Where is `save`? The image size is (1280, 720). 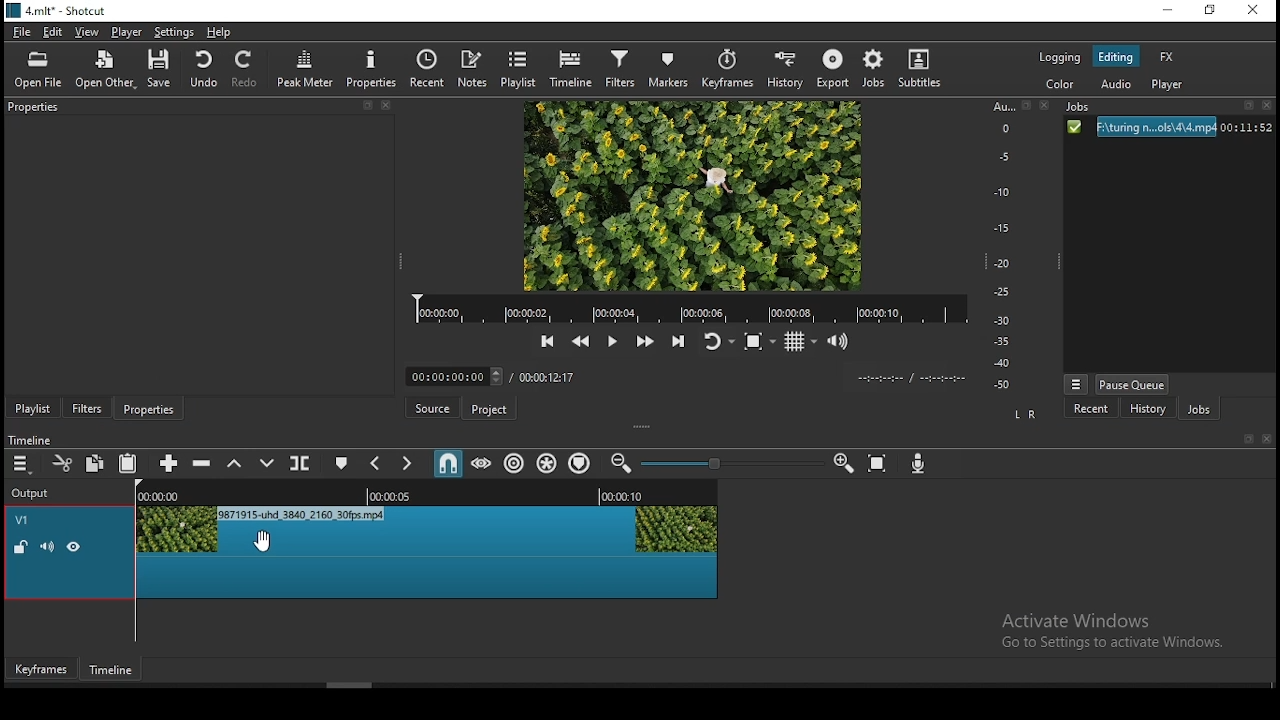 save is located at coordinates (161, 70).